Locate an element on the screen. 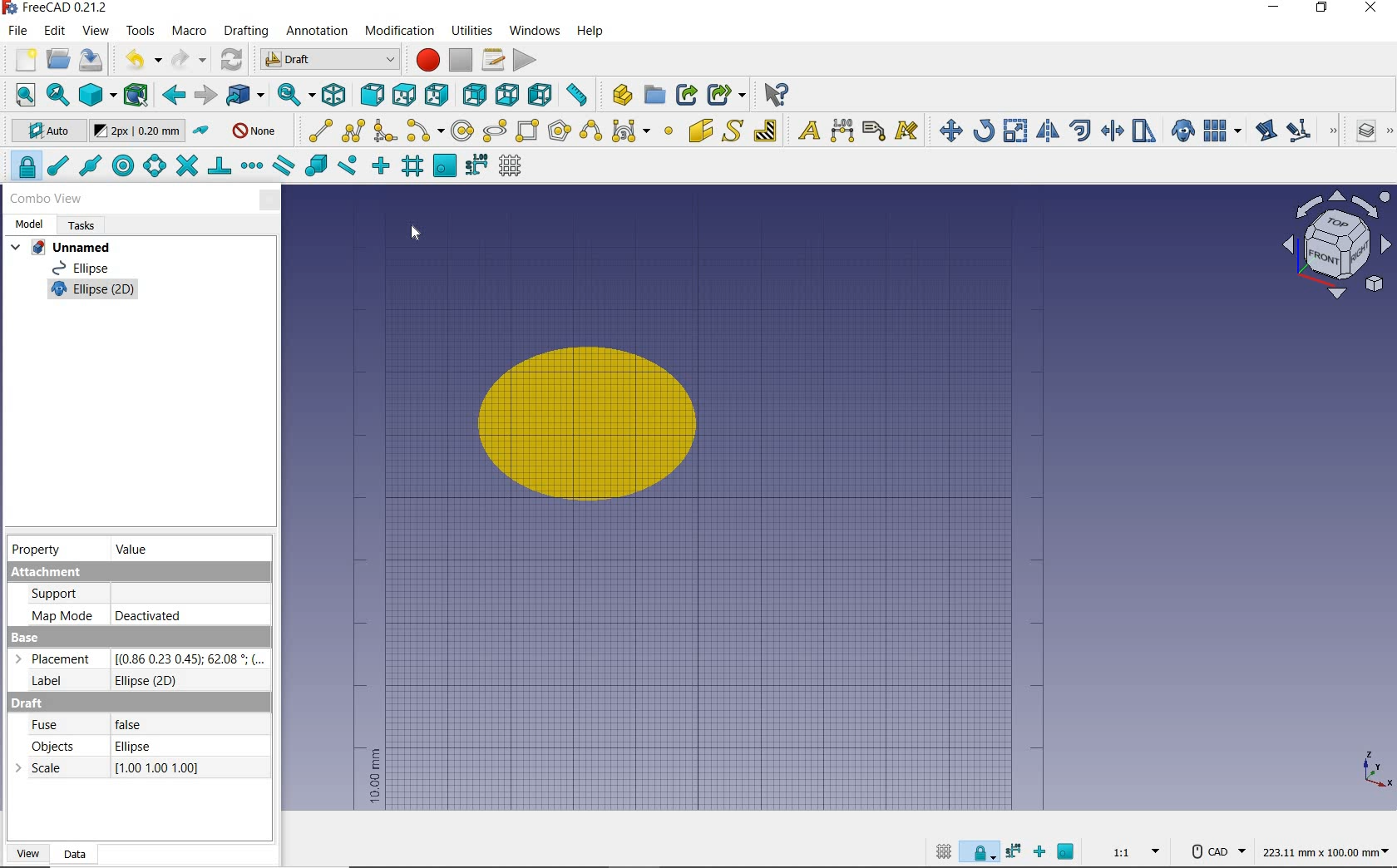 The image size is (1397, 868). front is located at coordinates (371, 94).